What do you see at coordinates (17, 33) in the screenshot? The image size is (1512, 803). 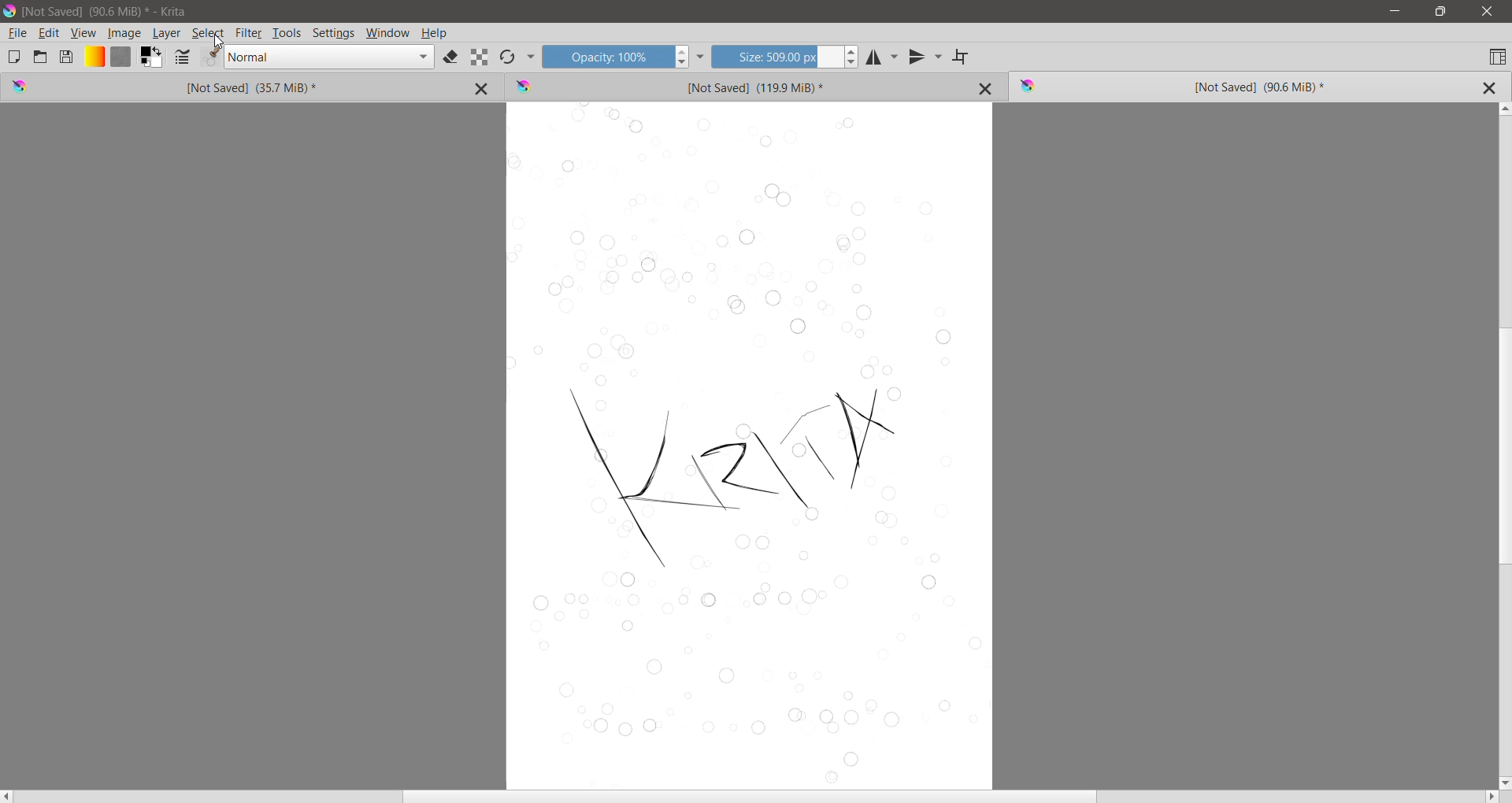 I see `File` at bounding box center [17, 33].